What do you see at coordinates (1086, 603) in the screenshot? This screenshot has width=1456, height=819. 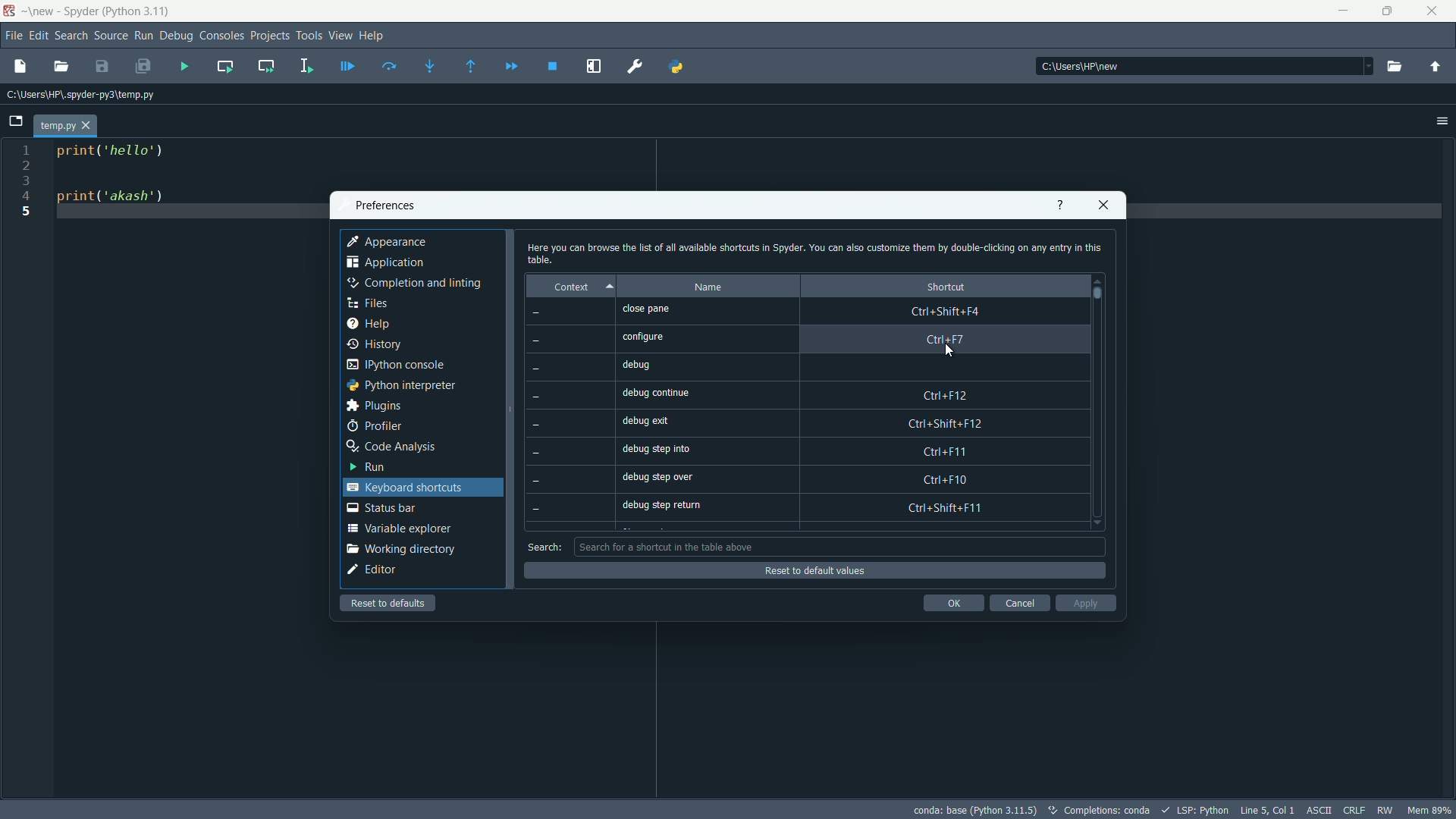 I see `apply` at bounding box center [1086, 603].